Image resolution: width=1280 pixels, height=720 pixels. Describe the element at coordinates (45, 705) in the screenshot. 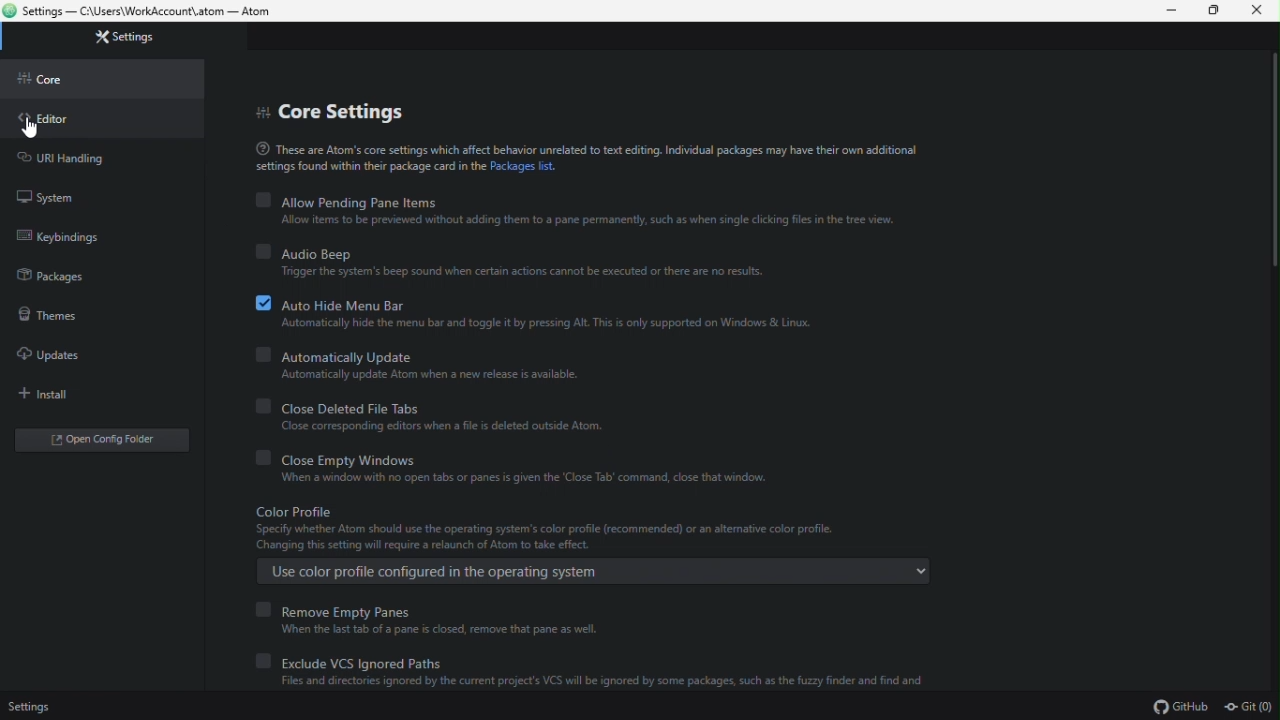

I see `Setting` at that location.